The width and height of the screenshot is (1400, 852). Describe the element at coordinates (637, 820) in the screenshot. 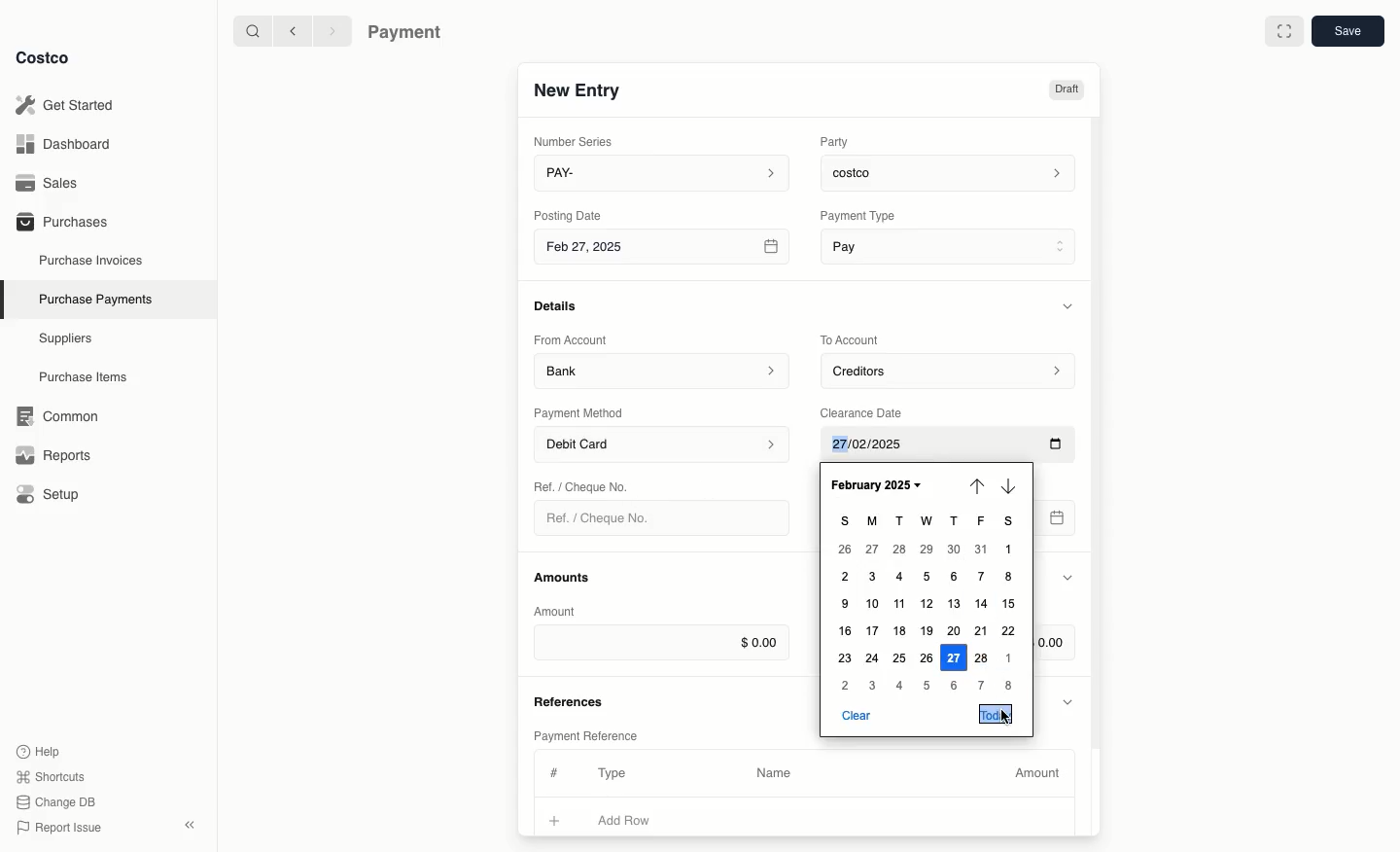

I see `Add Row` at that location.